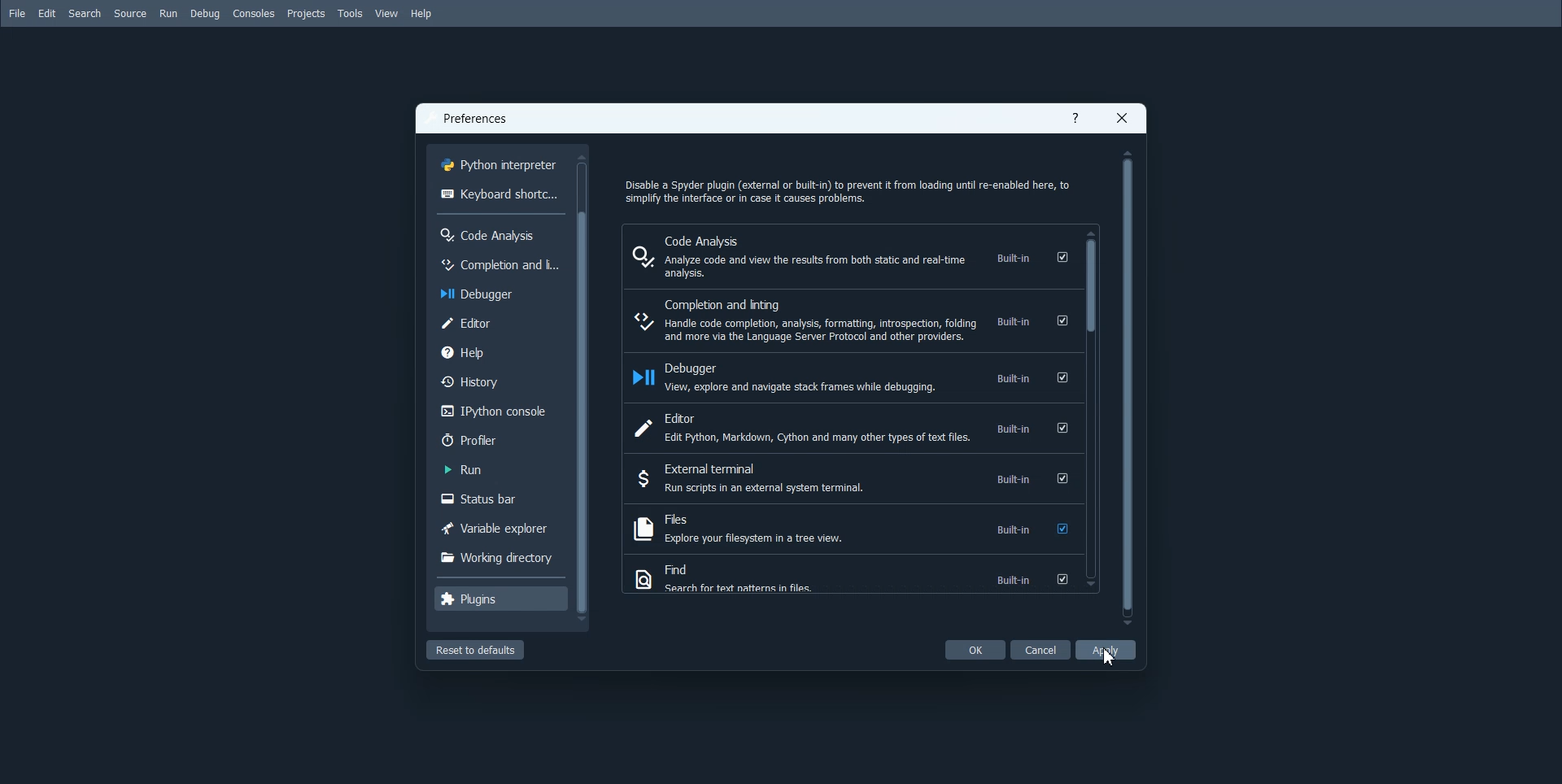 This screenshot has width=1562, height=784. I want to click on Find, so click(850, 577).